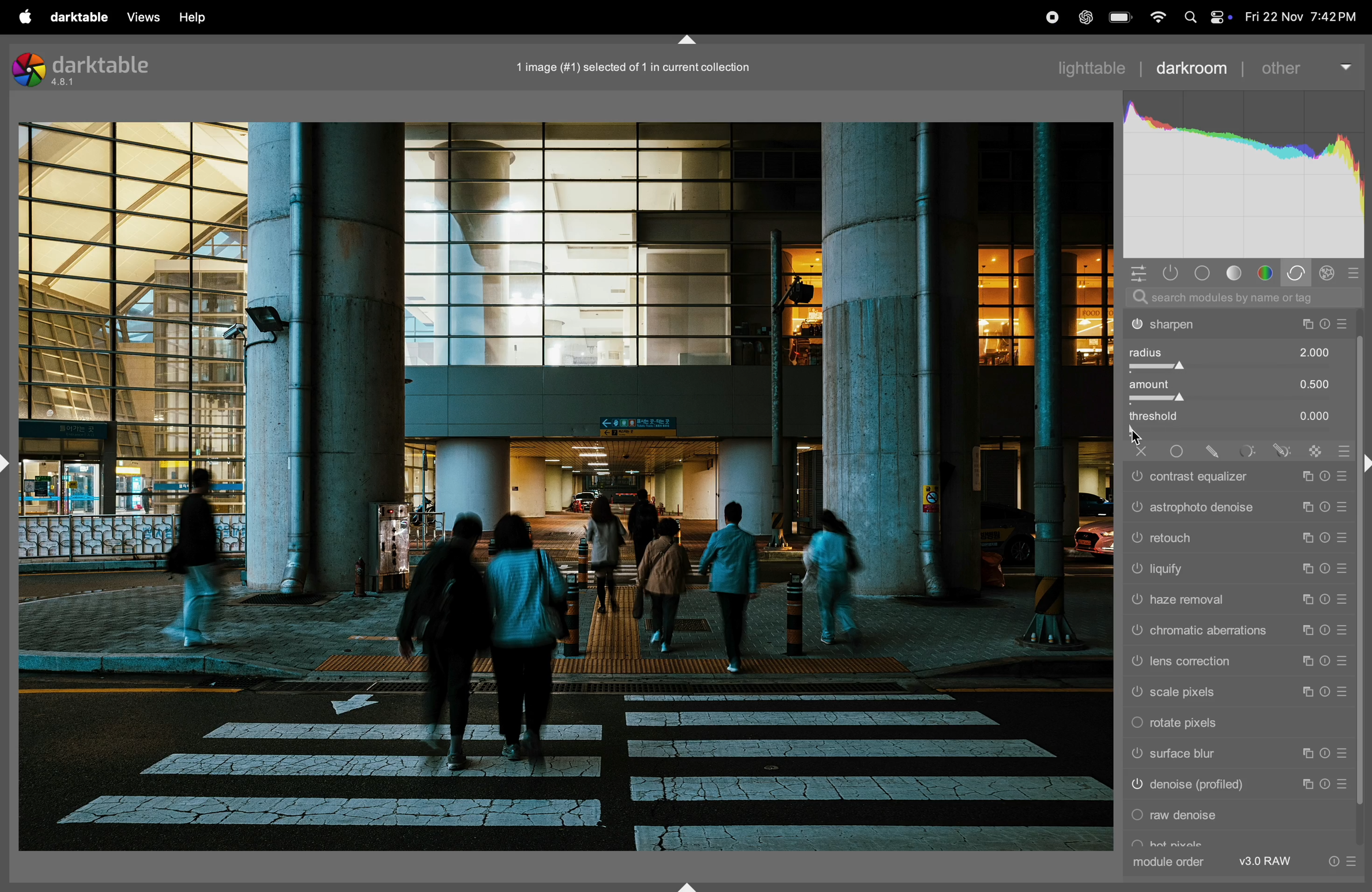 This screenshot has width=1372, height=892. I want to click on uniformly, so click(1181, 451).